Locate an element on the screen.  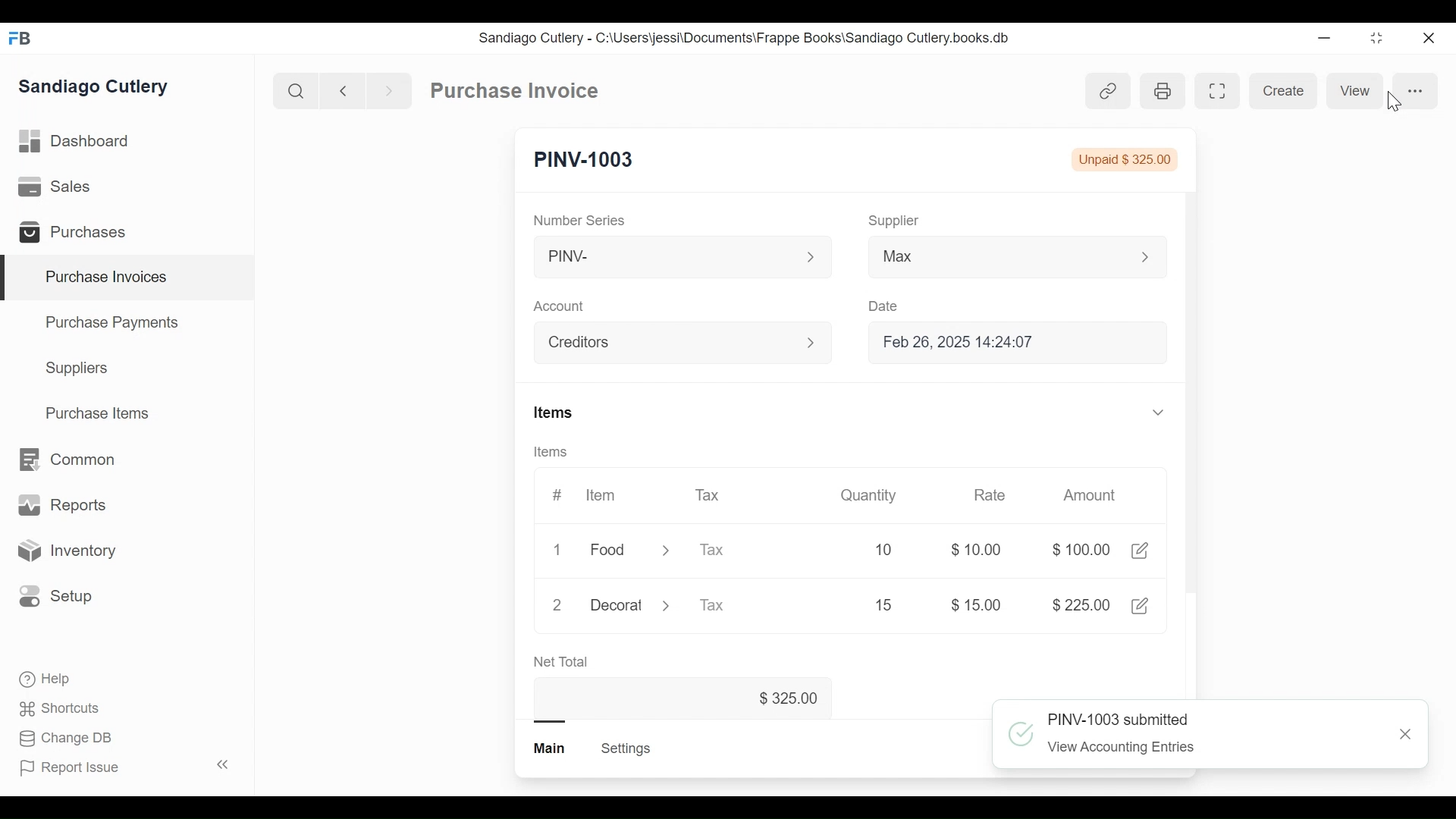
Number Series is located at coordinates (581, 220).